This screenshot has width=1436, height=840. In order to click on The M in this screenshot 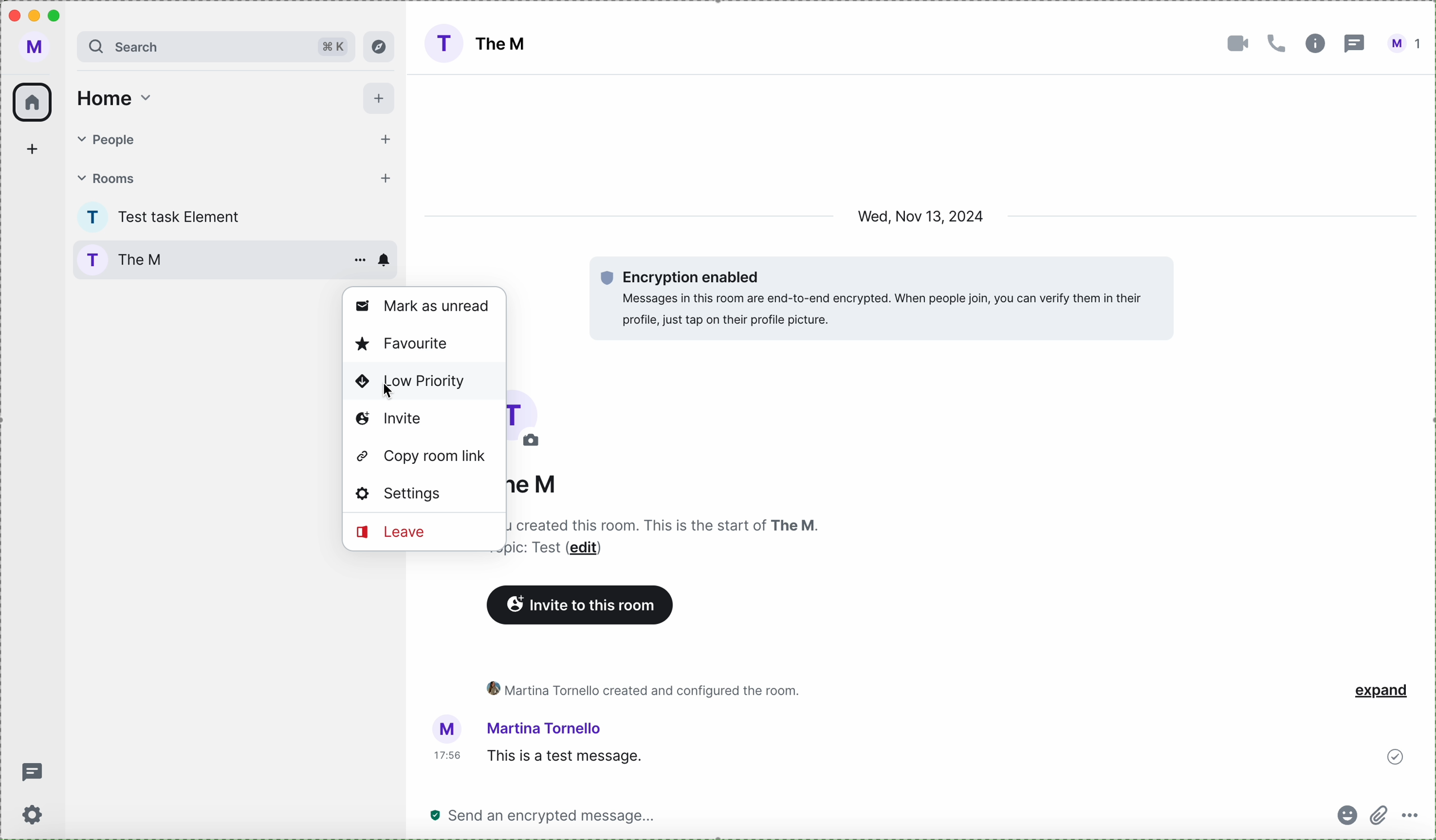, I will do `click(503, 44)`.